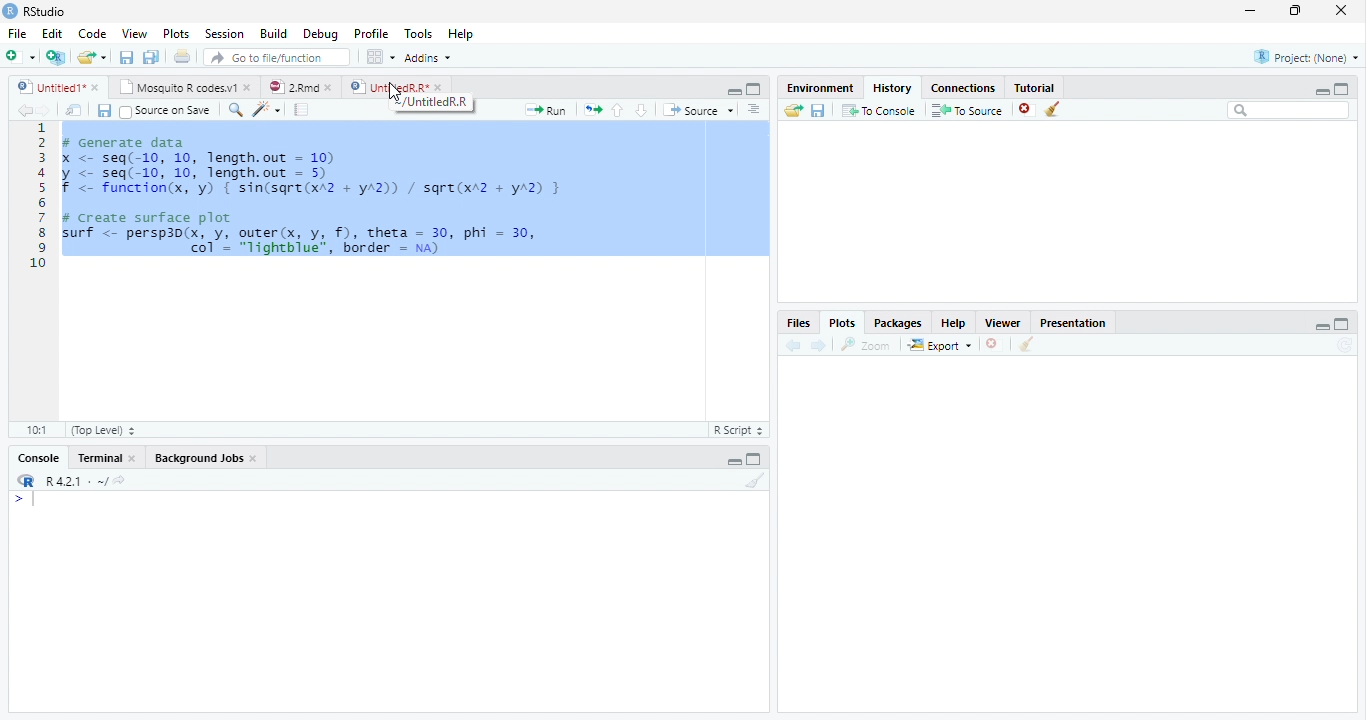 Image resolution: width=1366 pixels, height=720 pixels. What do you see at coordinates (438, 87) in the screenshot?
I see `close` at bounding box center [438, 87].